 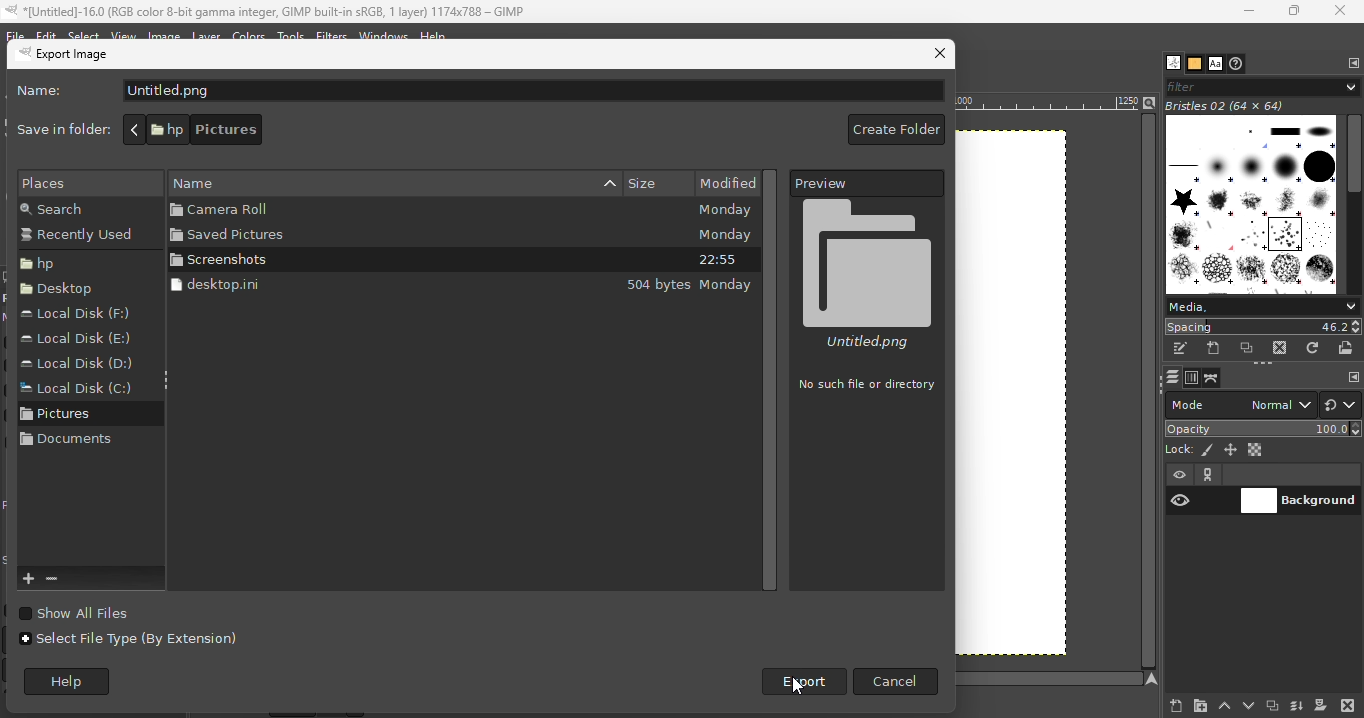 I want to click on Image, so click(x=170, y=33).